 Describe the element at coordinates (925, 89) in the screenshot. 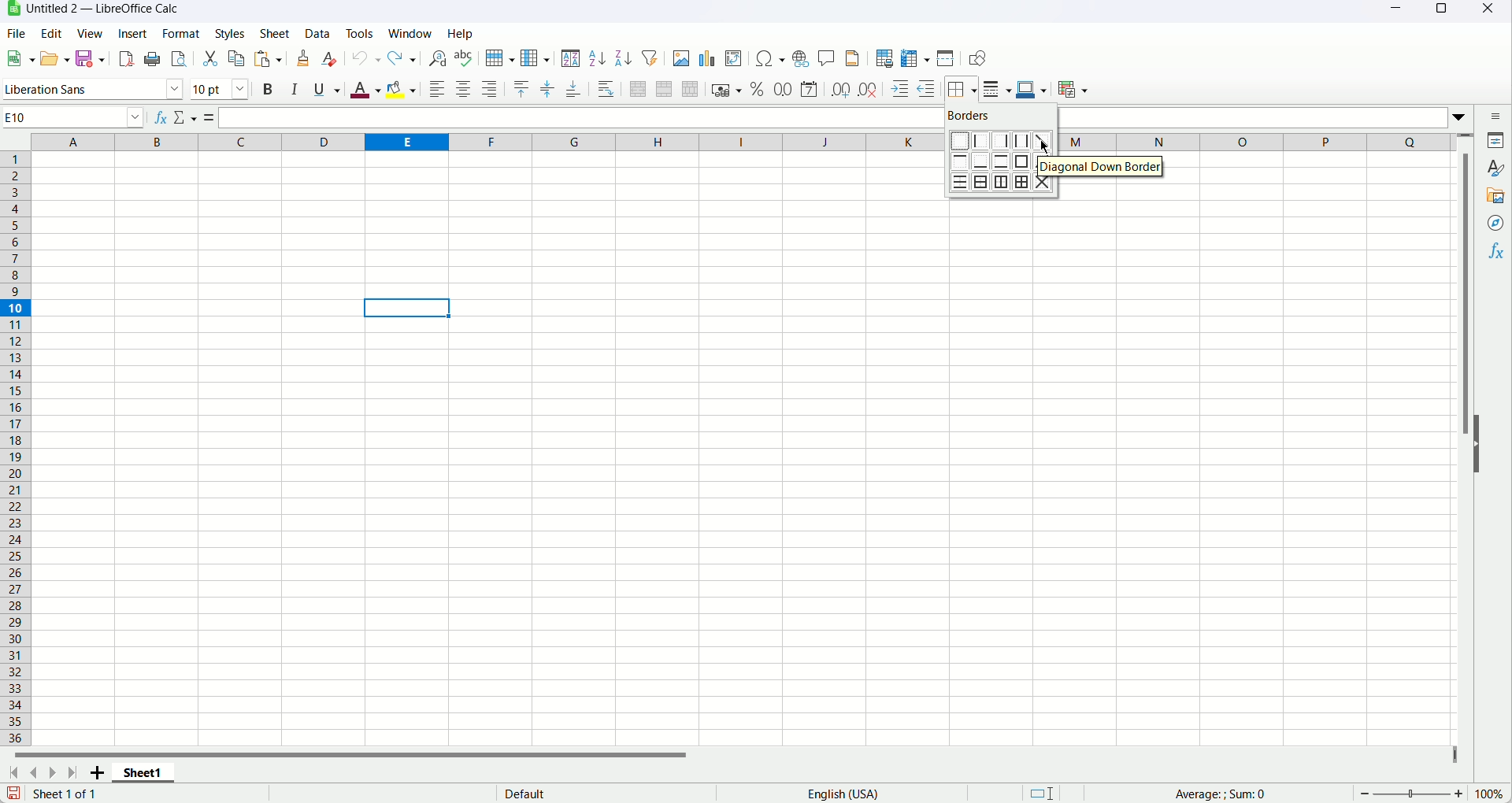

I see `Decrease indent` at that location.